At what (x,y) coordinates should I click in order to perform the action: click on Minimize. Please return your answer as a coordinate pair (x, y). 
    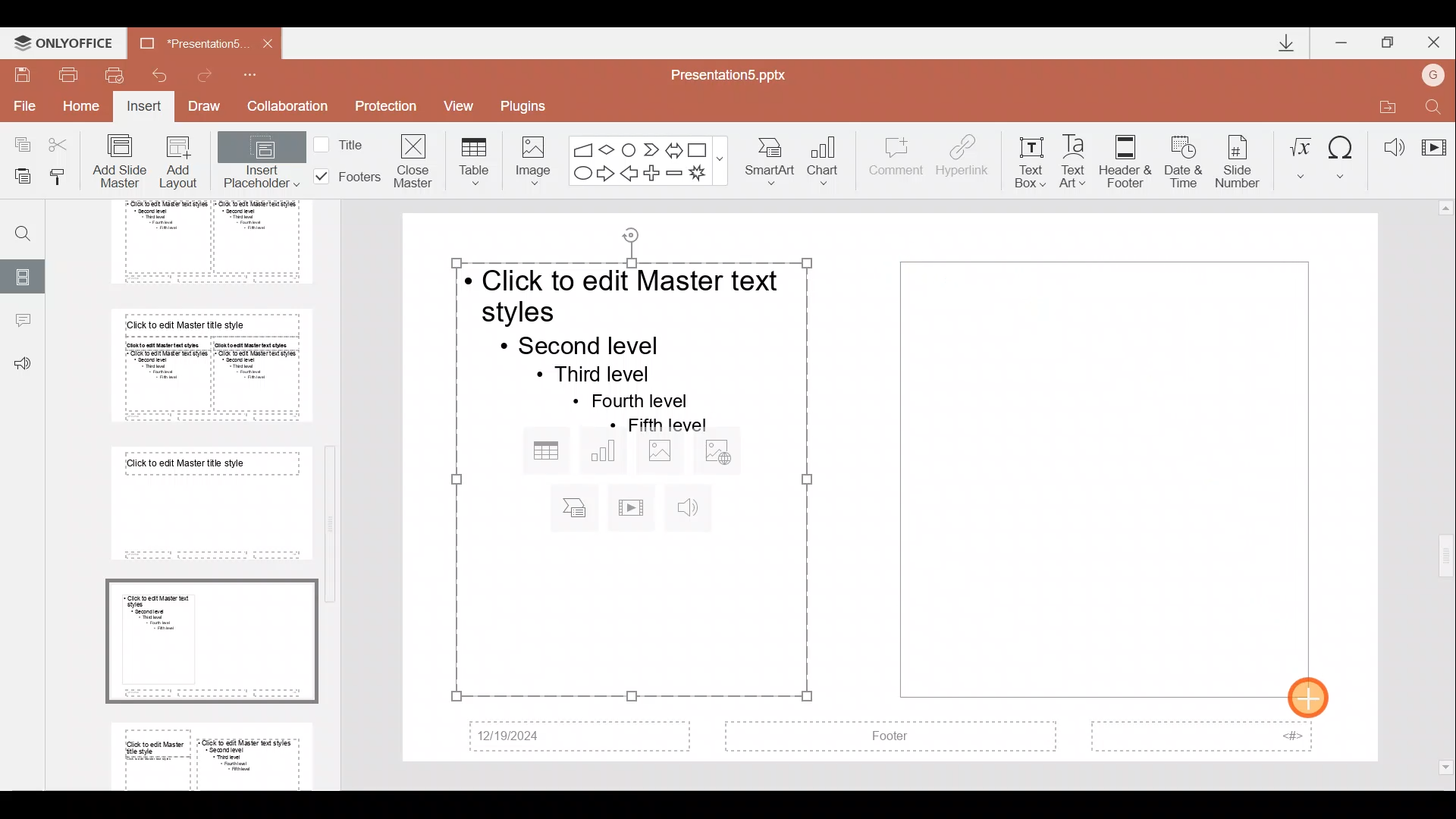
    Looking at the image, I should click on (1342, 39).